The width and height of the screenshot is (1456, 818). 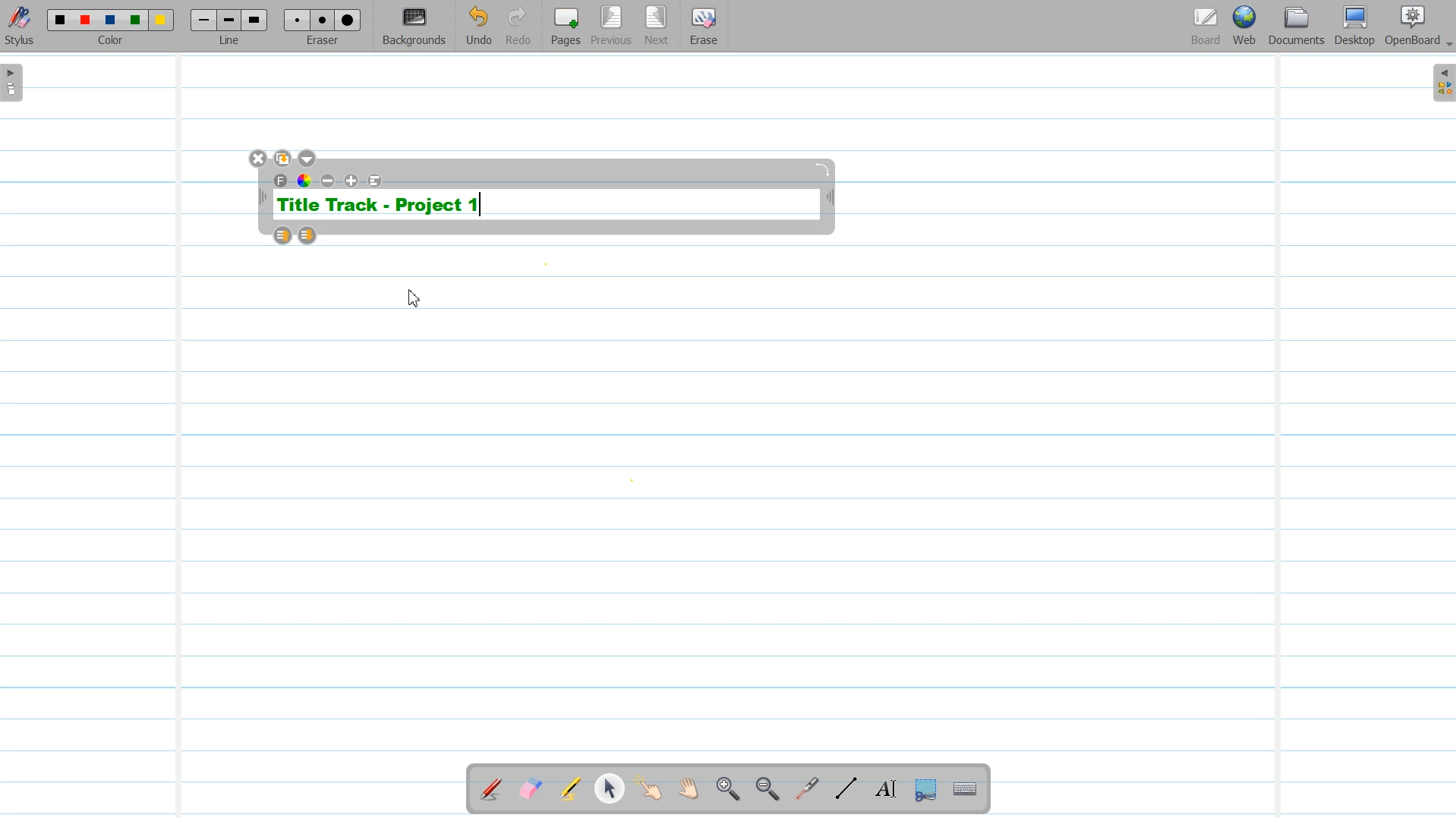 I want to click on Interact With Item, so click(x=649, y=790).